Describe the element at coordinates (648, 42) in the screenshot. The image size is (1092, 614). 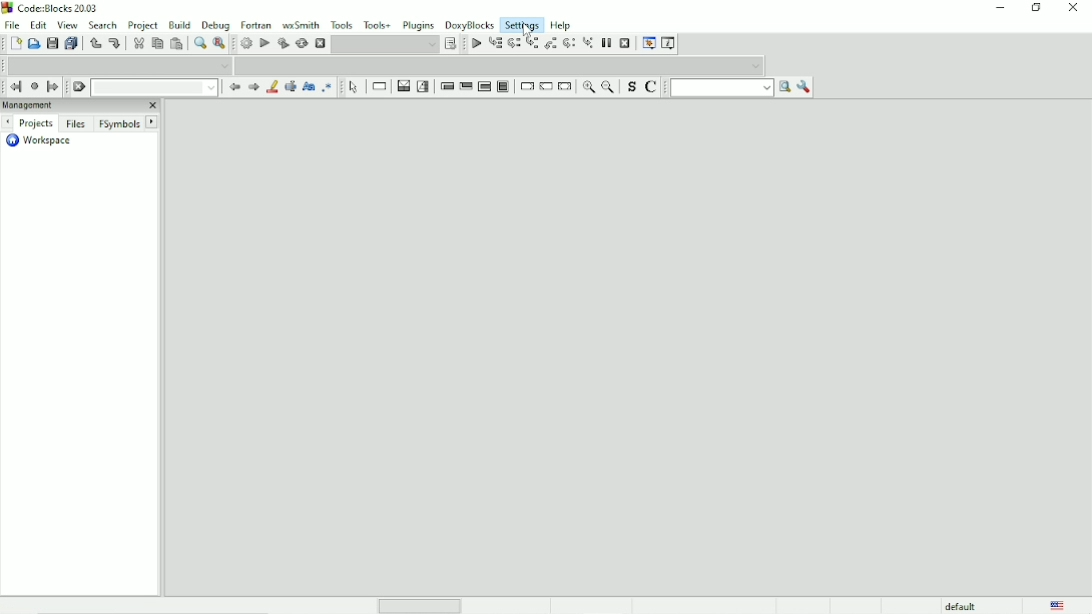
I see `Debugging windows` at that location.